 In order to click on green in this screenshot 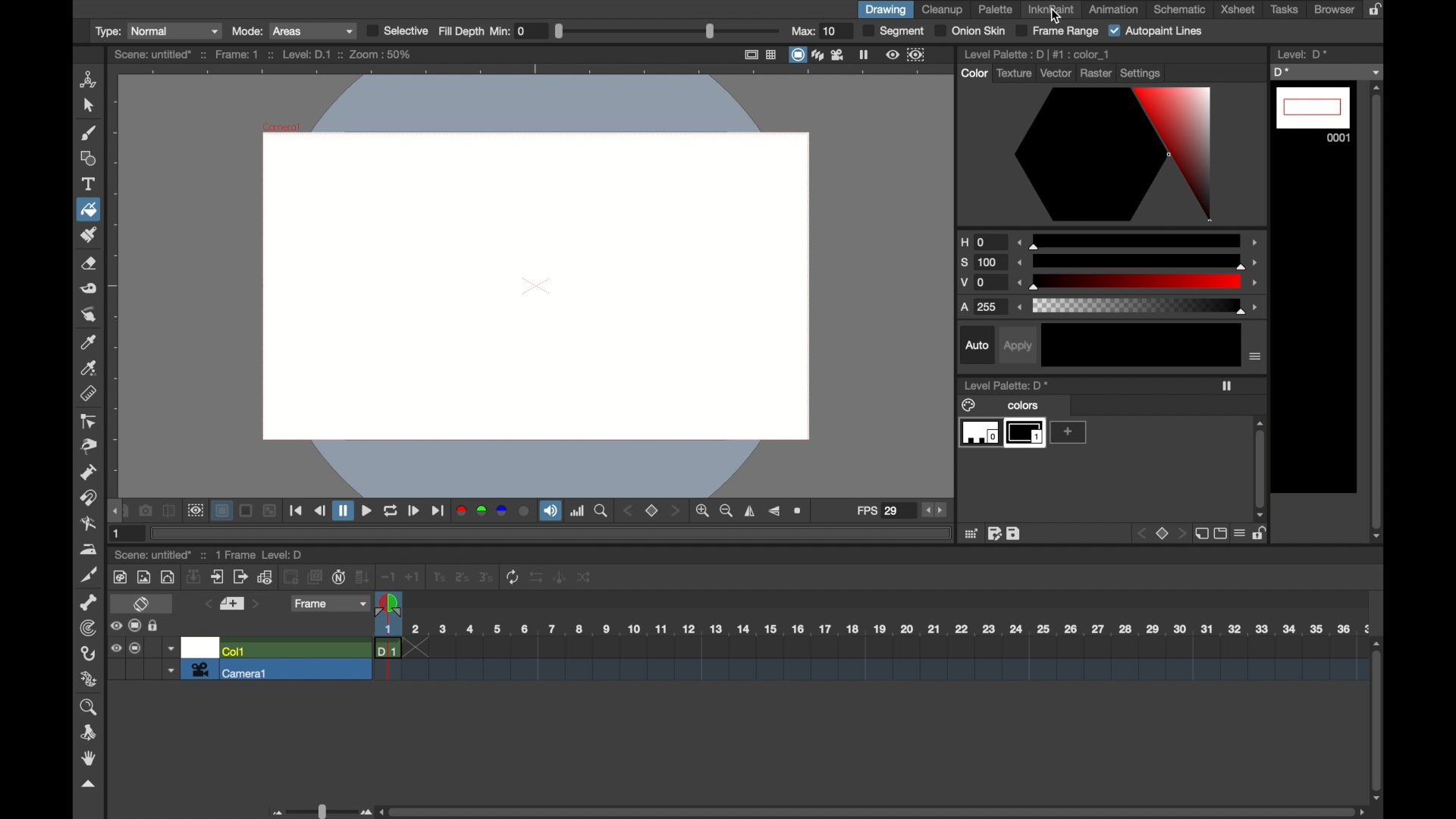, I will do `click(483, 512)`.